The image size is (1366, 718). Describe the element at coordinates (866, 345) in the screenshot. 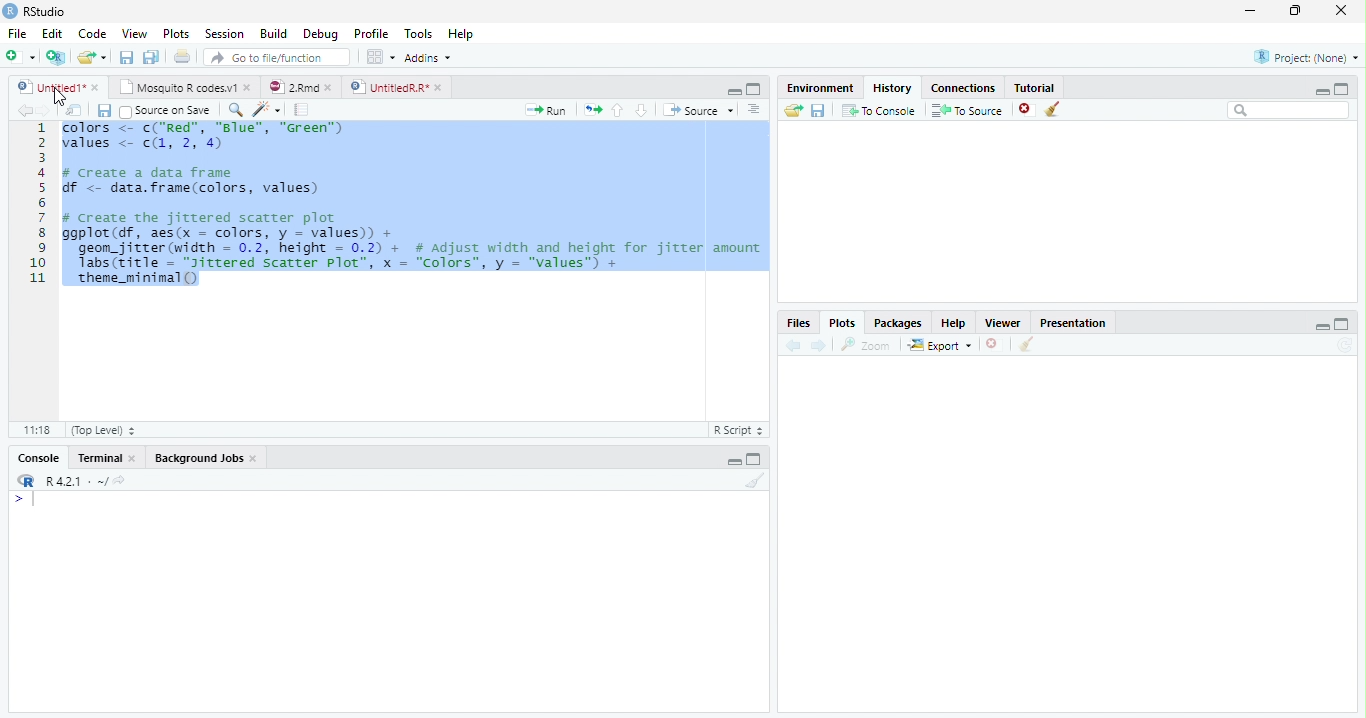

I see `Zoom` at that location.